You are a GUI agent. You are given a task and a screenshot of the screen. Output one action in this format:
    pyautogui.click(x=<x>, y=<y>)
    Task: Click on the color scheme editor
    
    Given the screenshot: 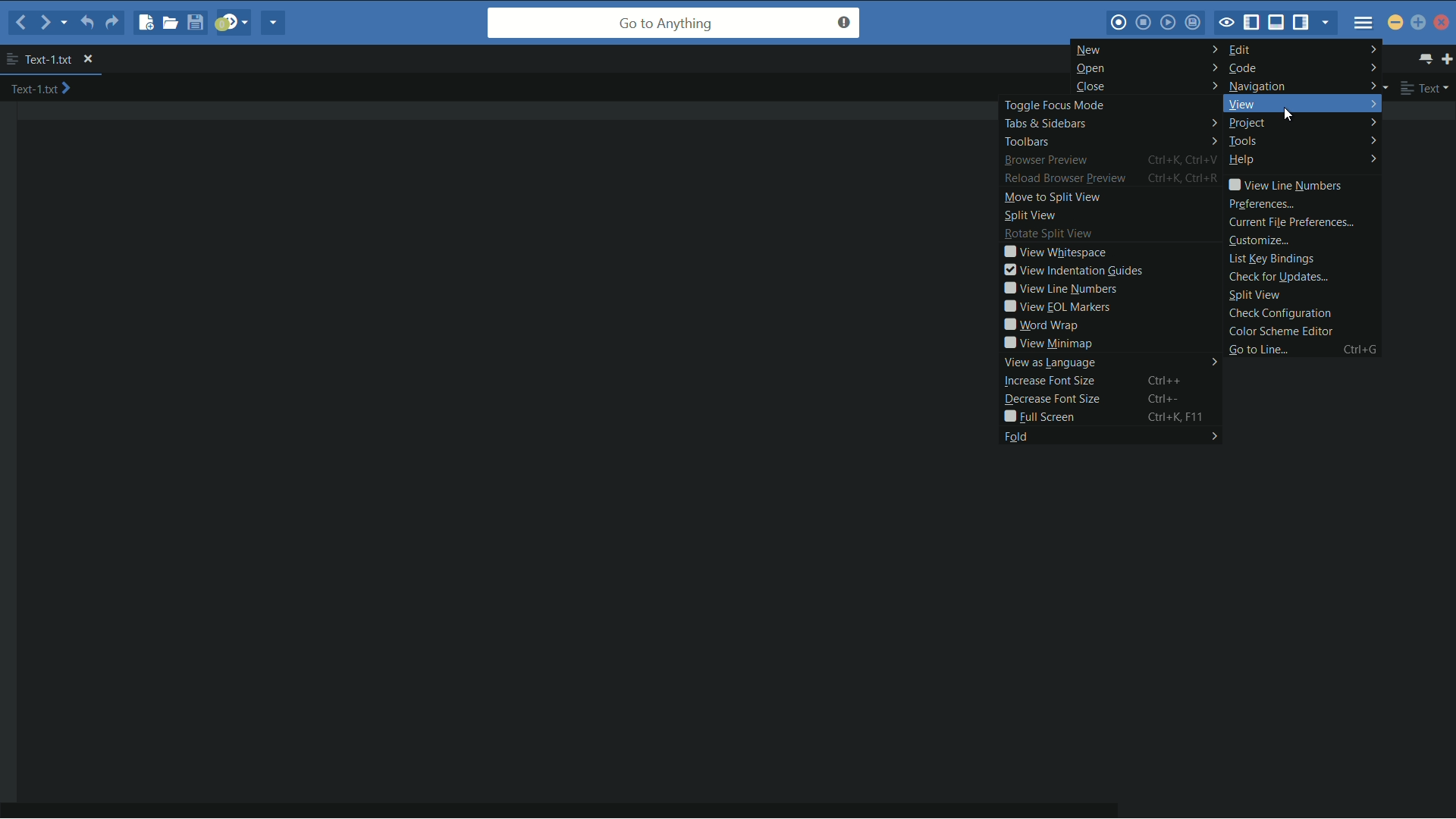 What is the action you would take?
    pyautogui.click(x=1282, y=331)
    